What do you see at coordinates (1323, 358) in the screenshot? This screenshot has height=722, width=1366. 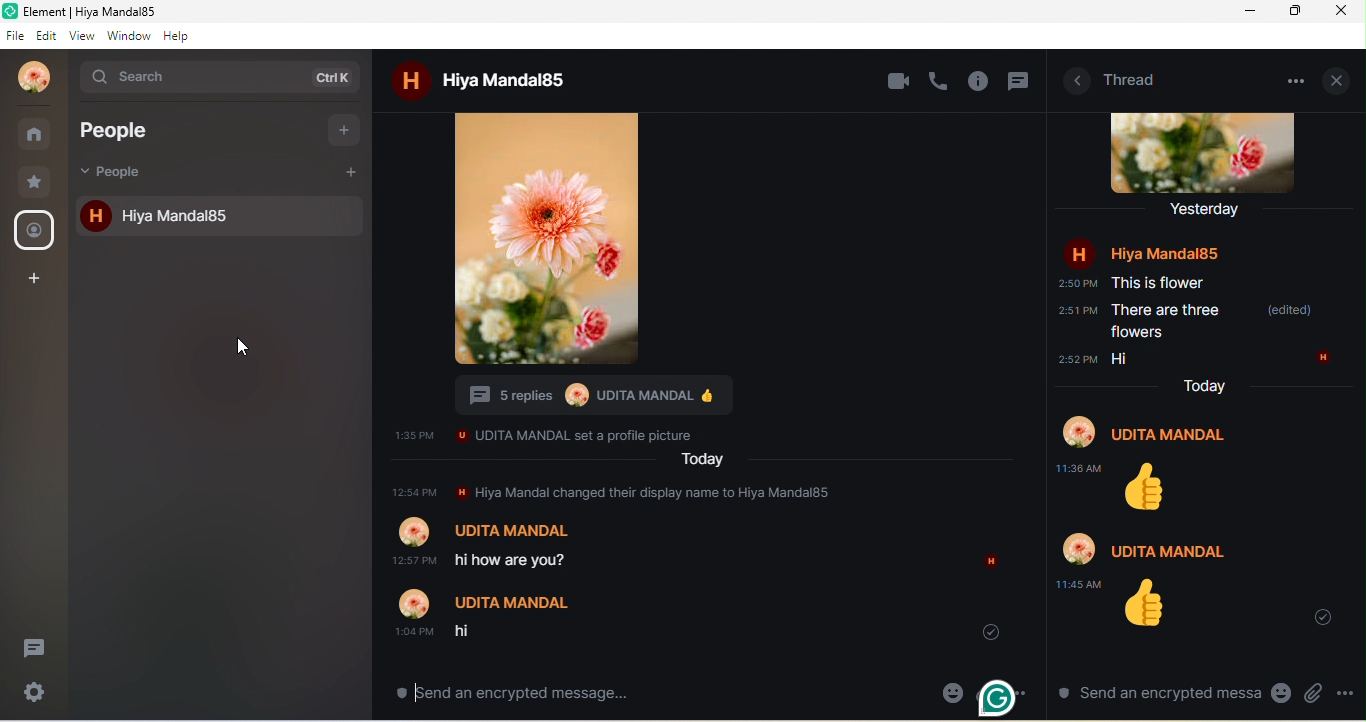 I see `H` at bounding box center [1323, 358].